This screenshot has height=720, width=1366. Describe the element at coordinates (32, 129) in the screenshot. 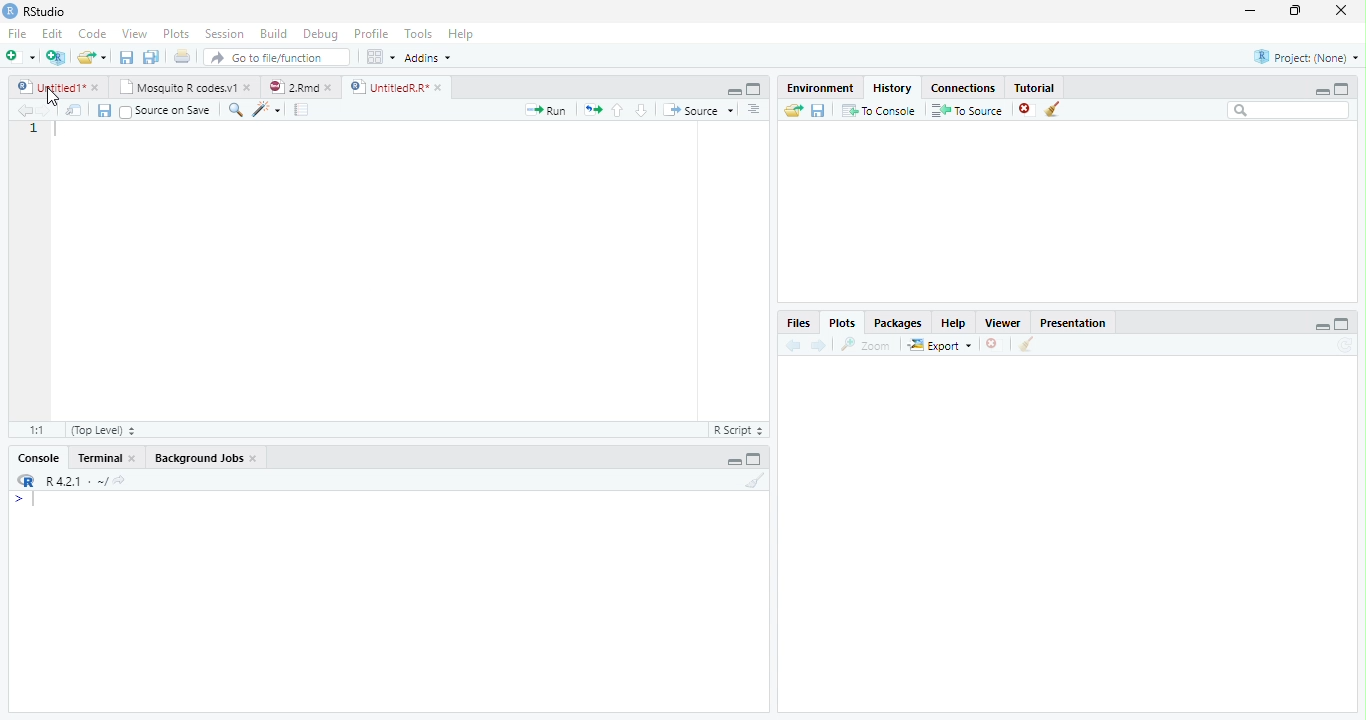

I see `1` at that location.